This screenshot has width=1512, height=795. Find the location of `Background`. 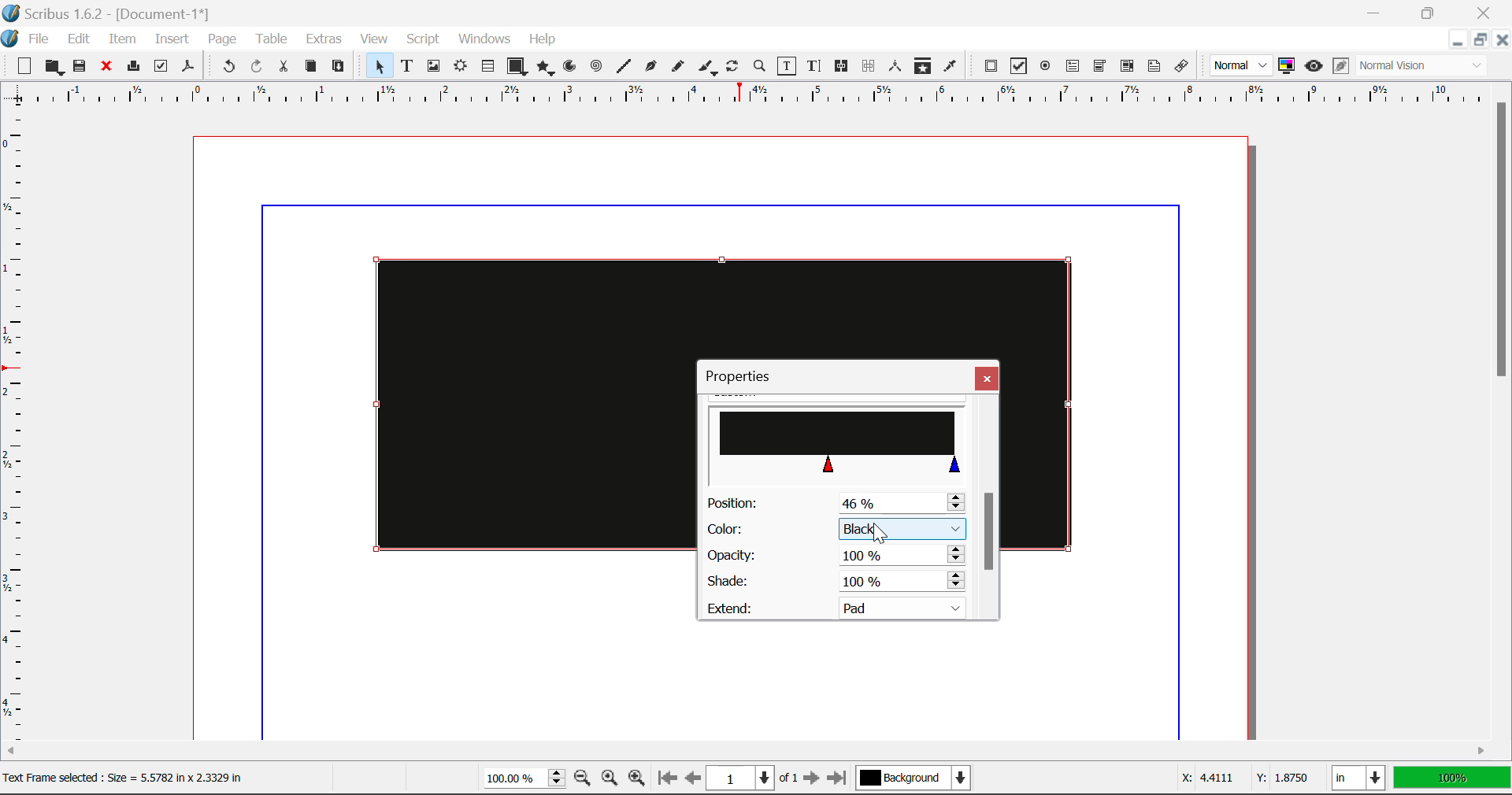

Background is located at coordinates (917, 780).